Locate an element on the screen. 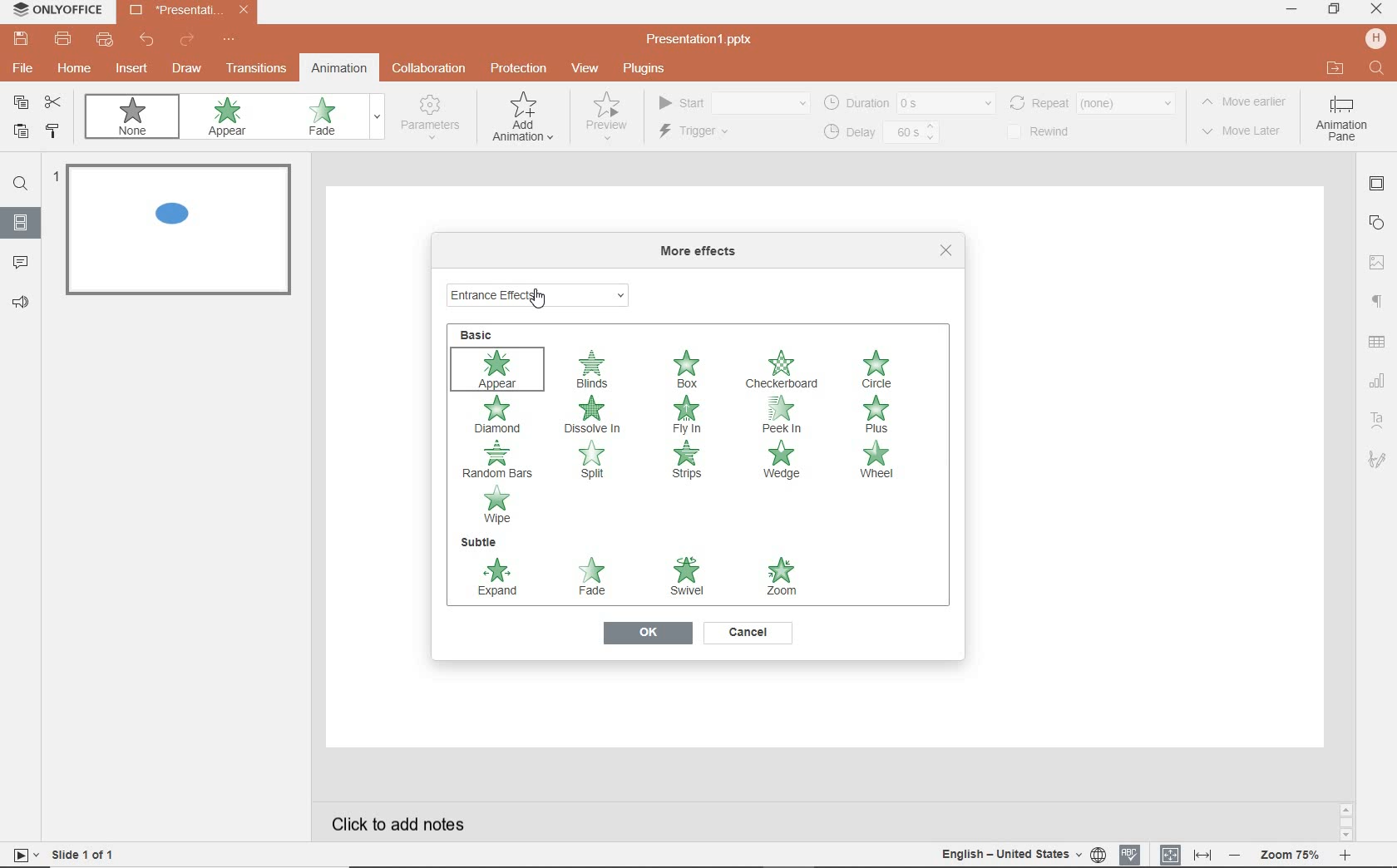 The height and width of the screenshot is (868, 1397). ZOOM is located at coordinates (779, 575).